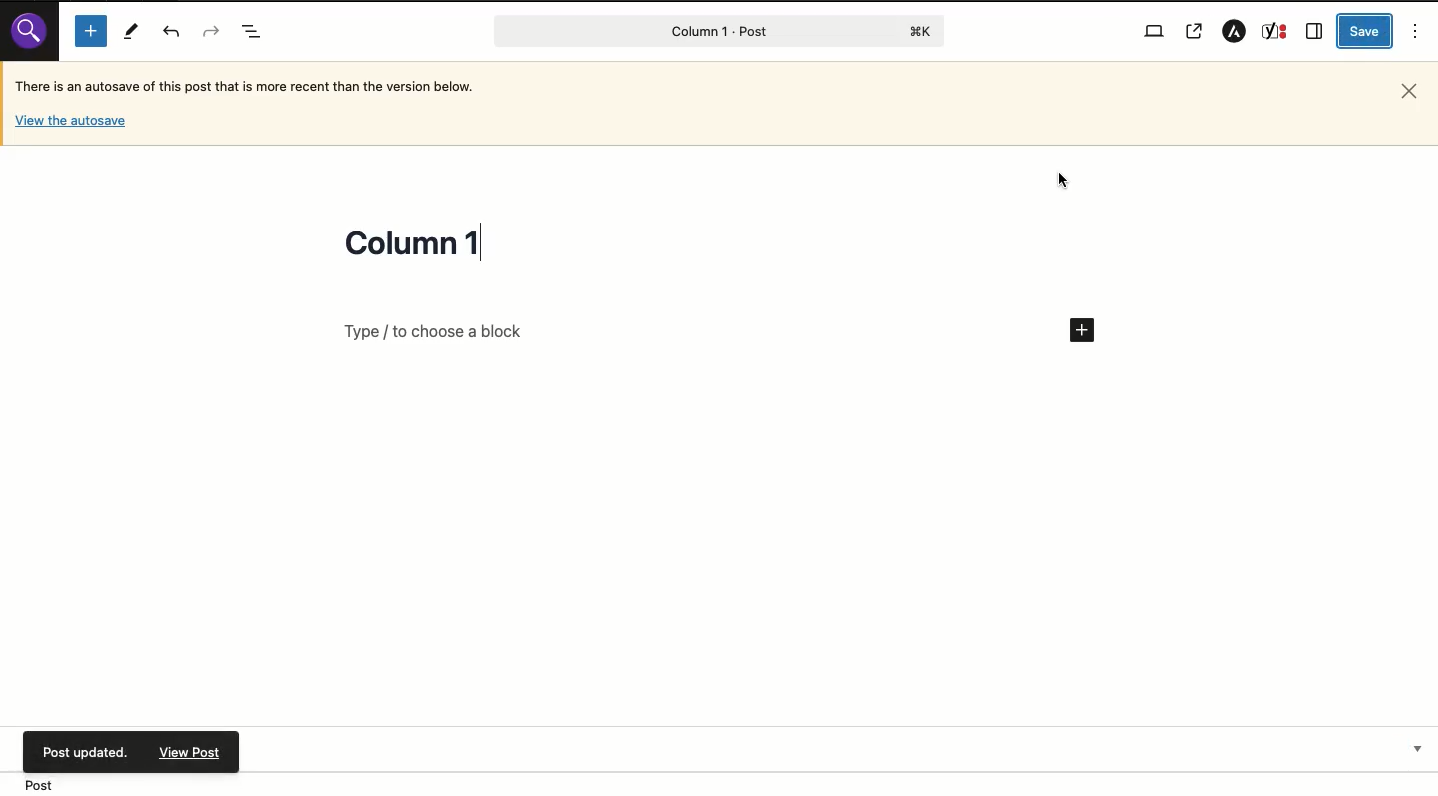  I want to click on Undo, so click(172, 31).